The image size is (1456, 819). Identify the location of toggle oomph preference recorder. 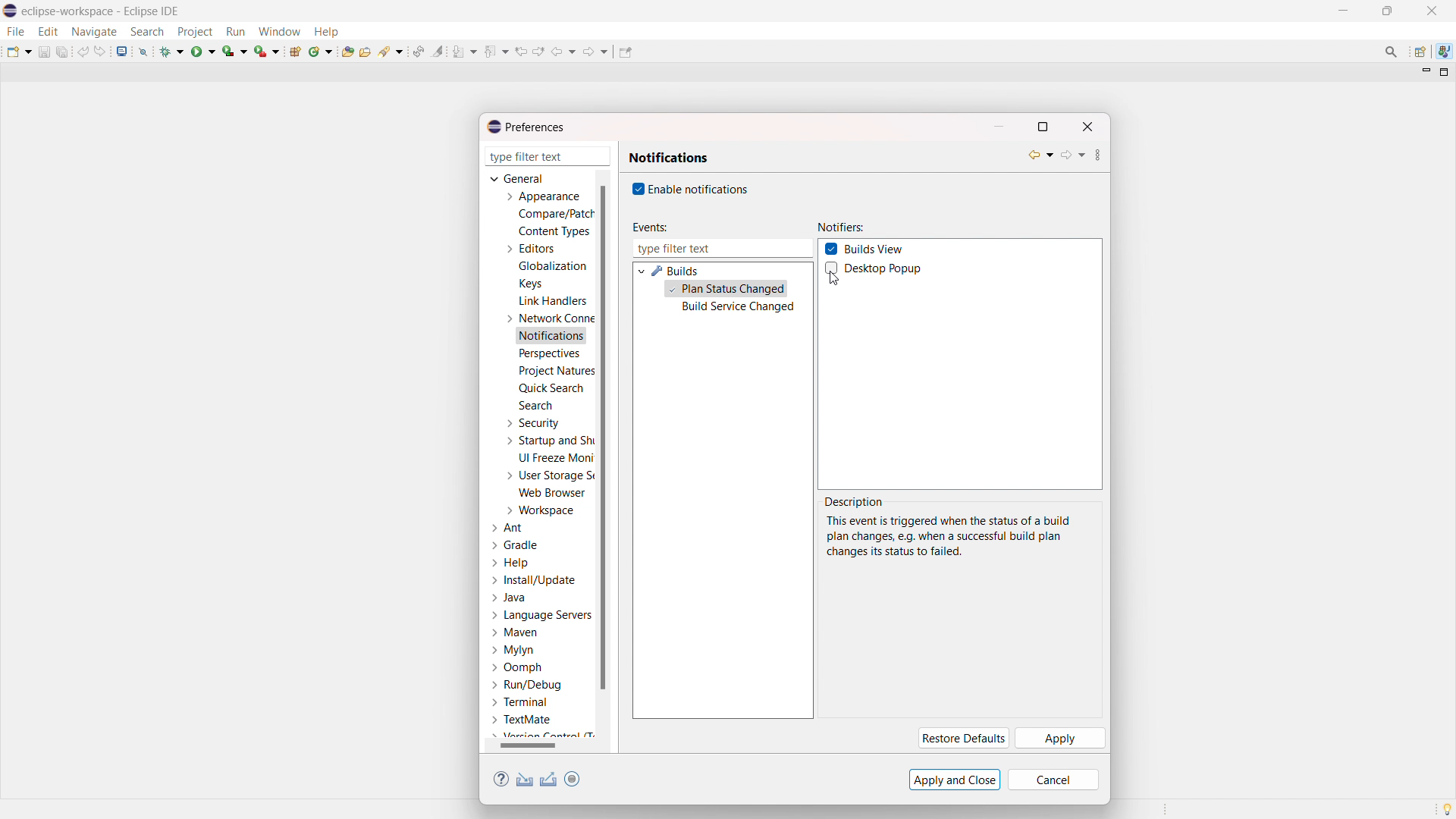
(572, 779).